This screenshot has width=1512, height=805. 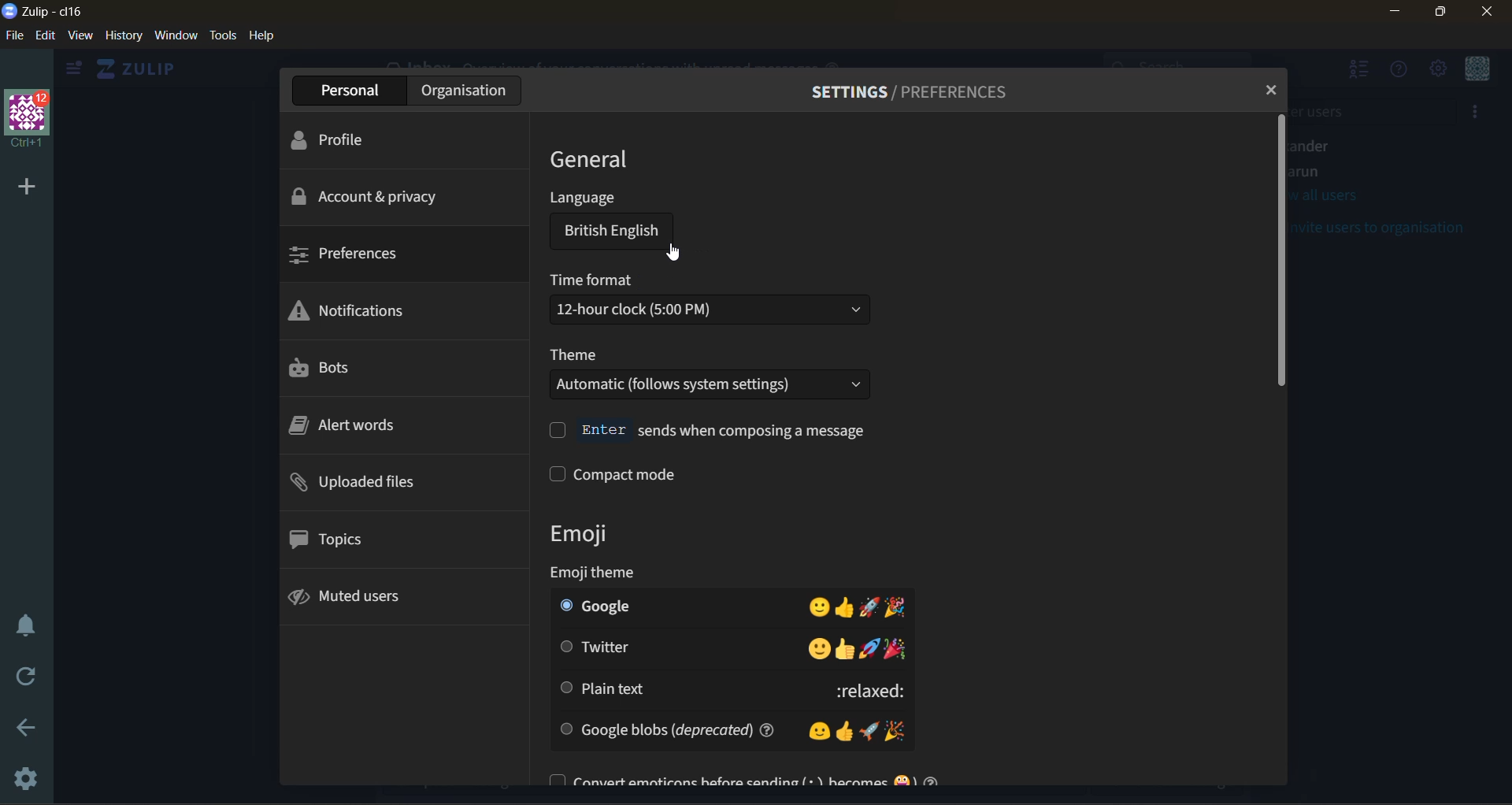 What do you see at coordinates (31, 729) in the screenshot?
I see `go back` at bounding box center [31, 729].